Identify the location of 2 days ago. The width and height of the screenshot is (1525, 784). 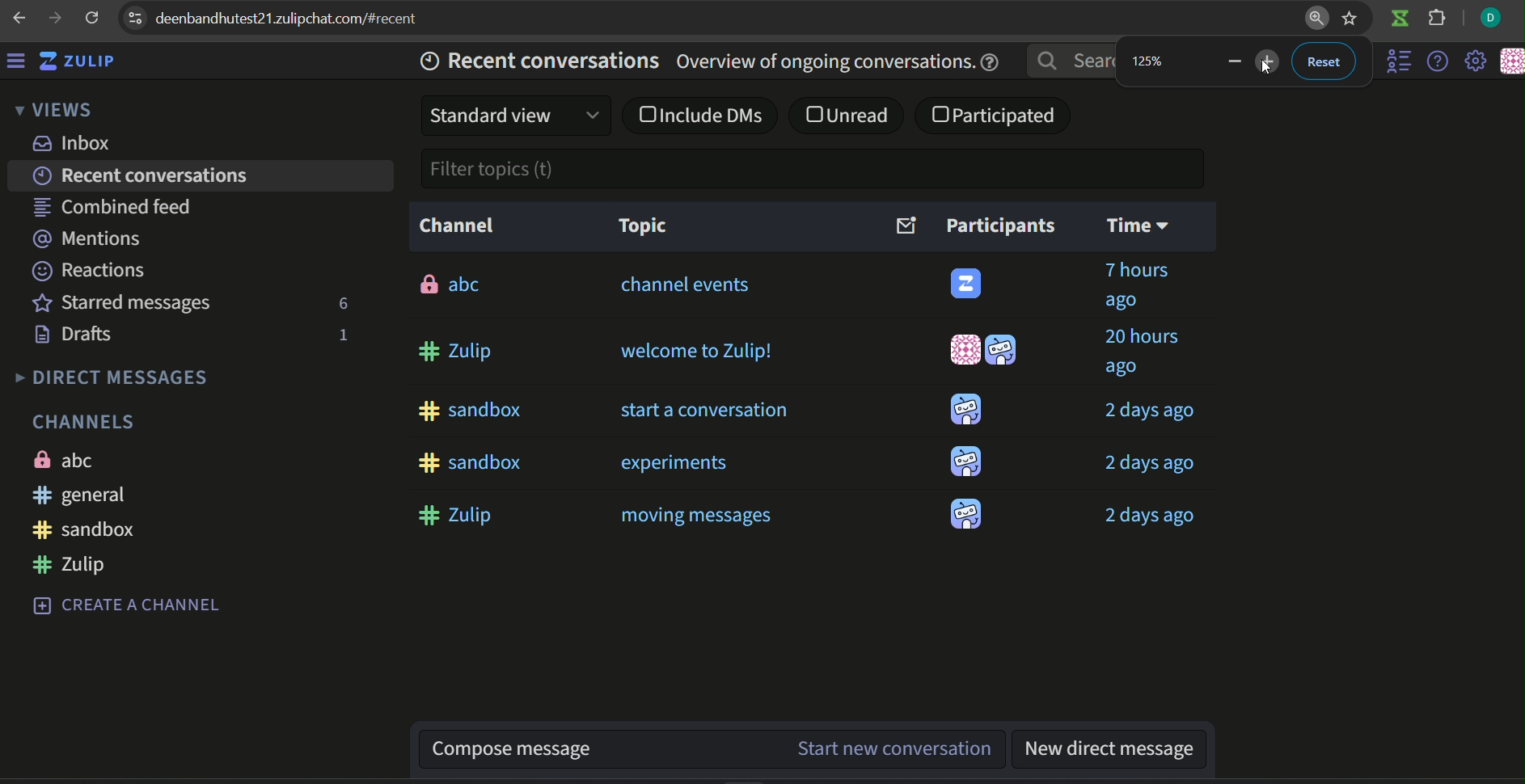
(1145, 464).